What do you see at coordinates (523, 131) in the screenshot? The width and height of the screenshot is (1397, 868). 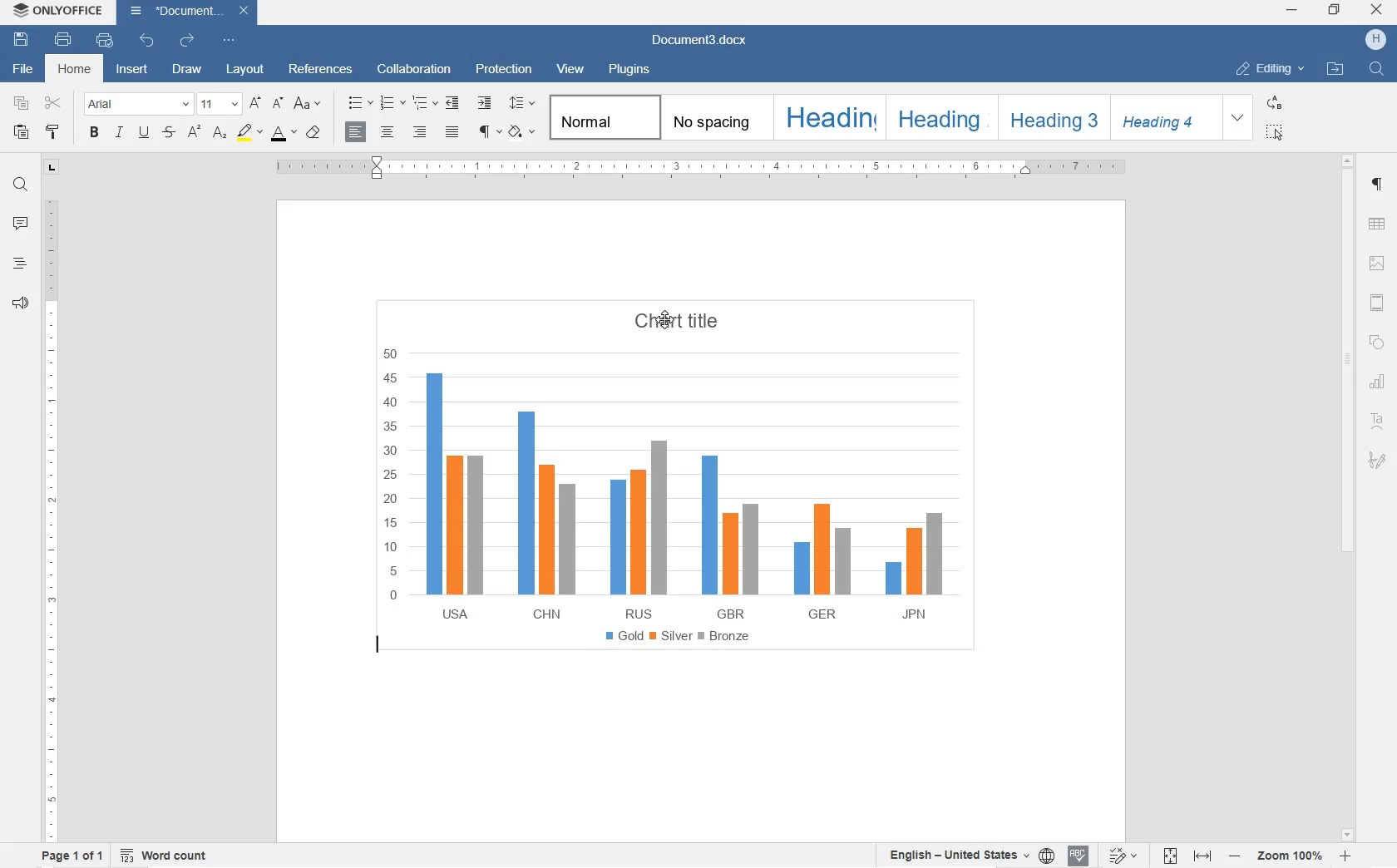 I see `SHADING` at bounding box center [523, 131].